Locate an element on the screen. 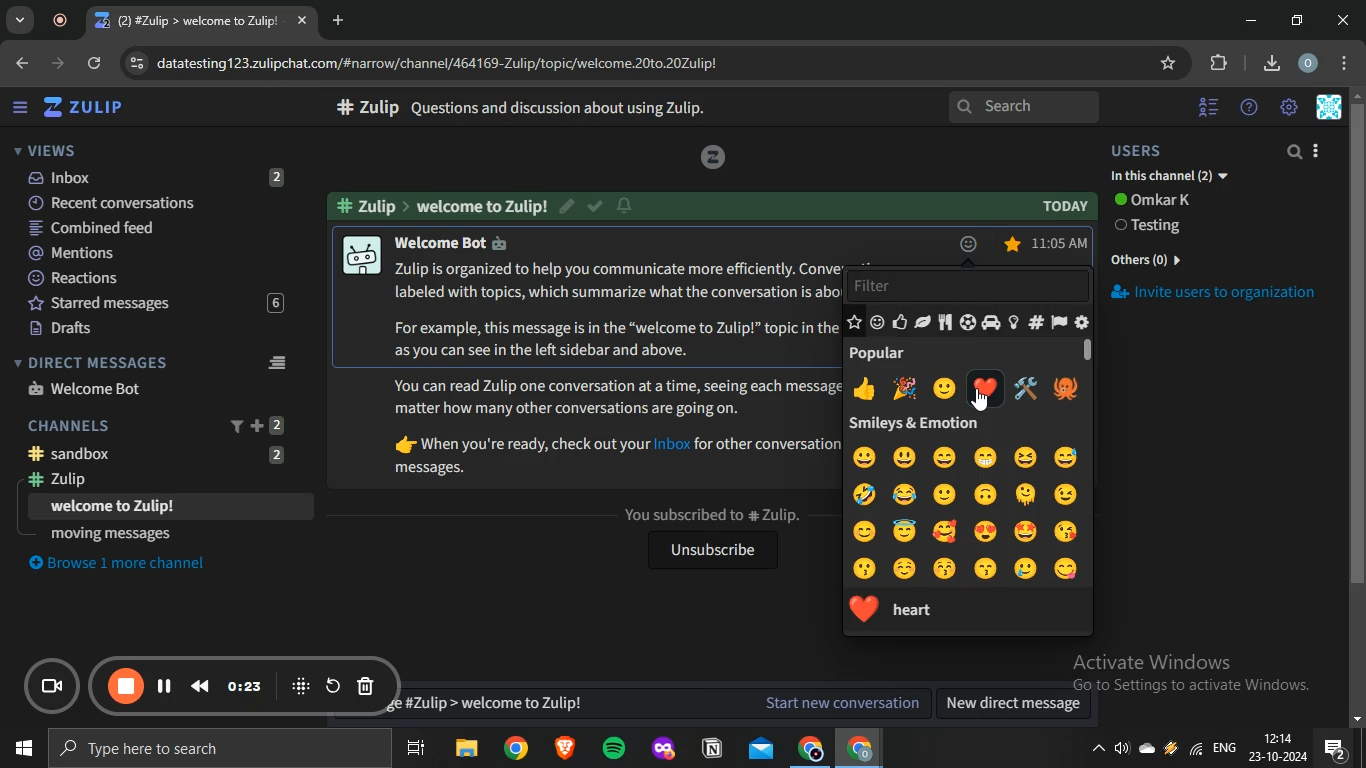  delete is located at coordinates (366, 688).